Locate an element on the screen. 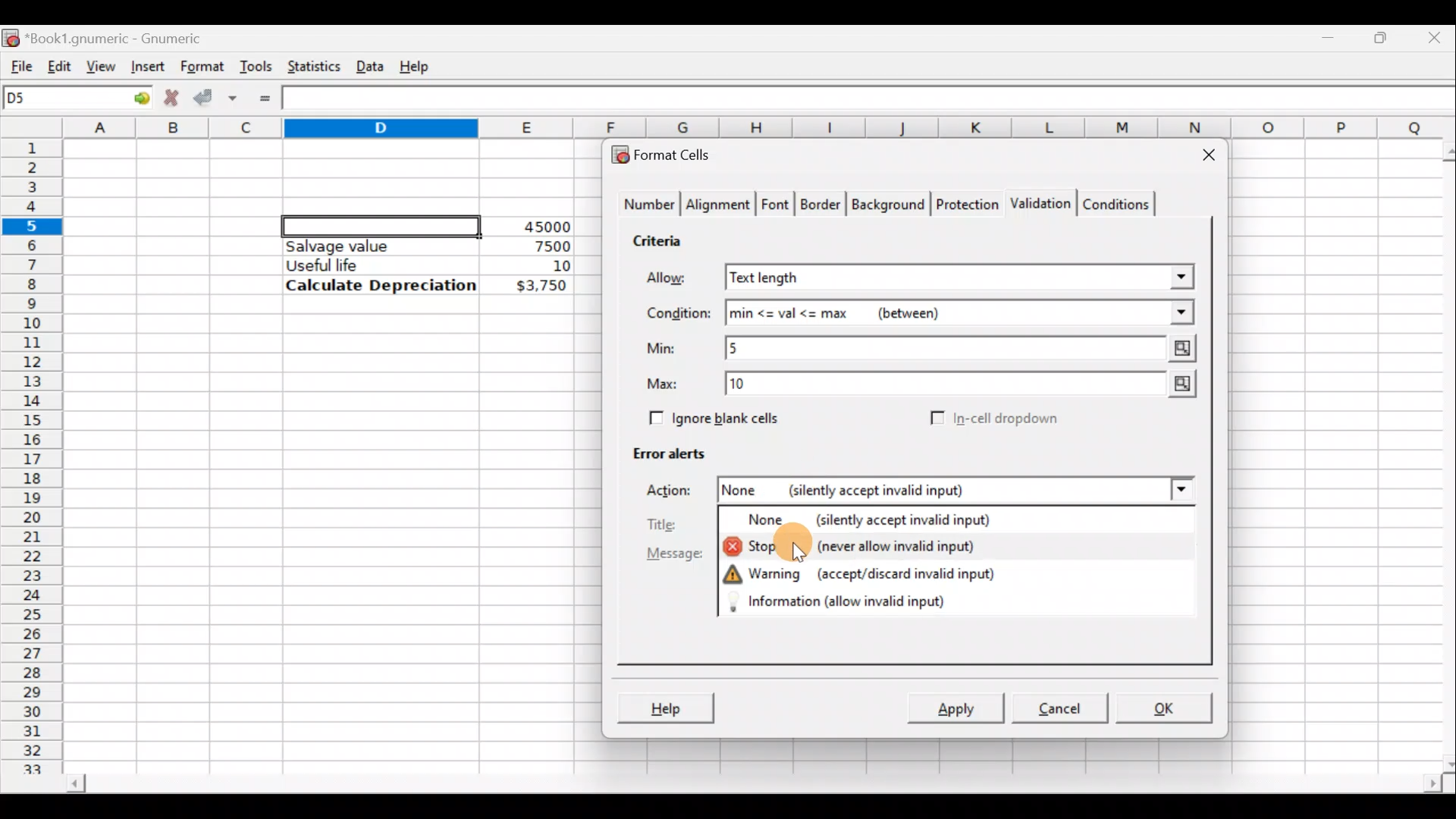 This screenshot has width=1456, height=819. Background is located at coordinates (887, 203).